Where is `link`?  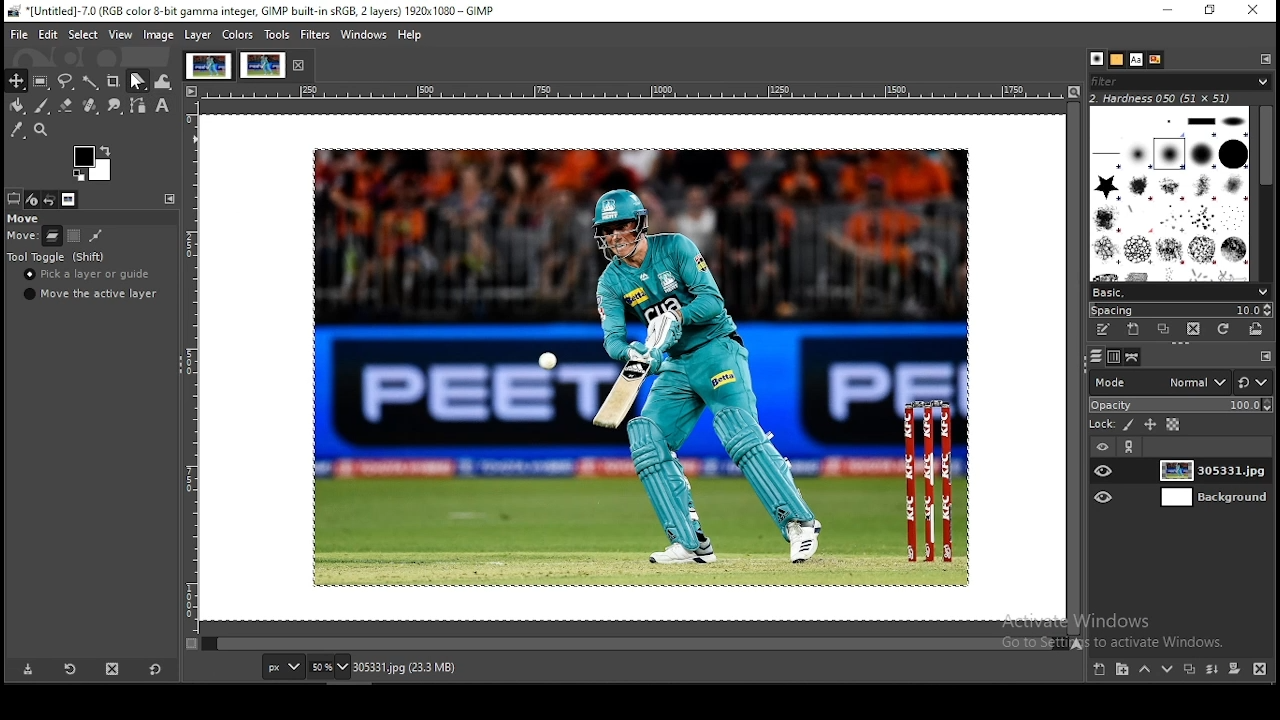
link is located at coordinates (1131, 447).